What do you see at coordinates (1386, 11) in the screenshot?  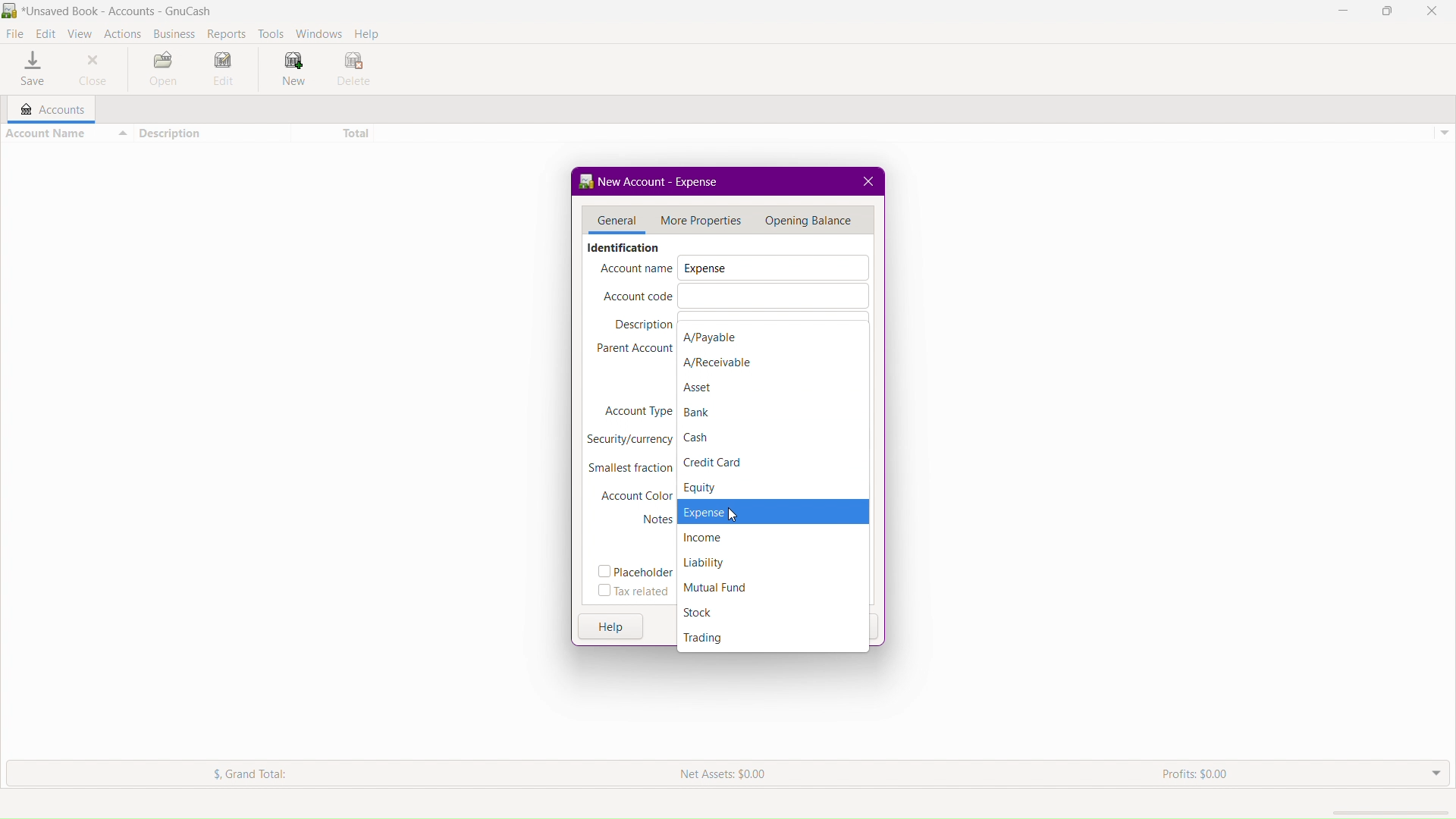 I see `Maximize` at bounding box center [1386, 11].